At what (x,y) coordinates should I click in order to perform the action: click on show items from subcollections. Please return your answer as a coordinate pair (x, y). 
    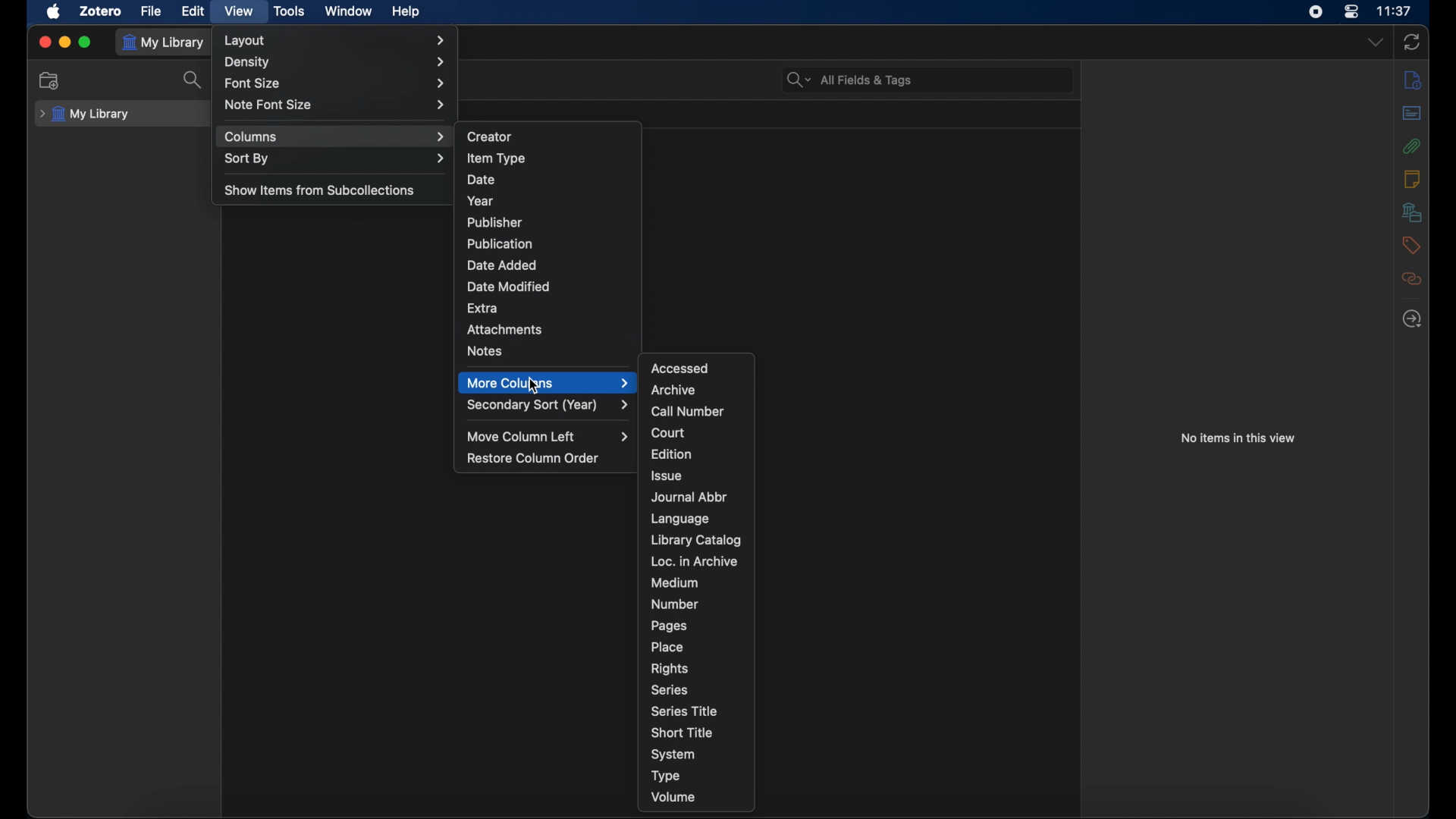
    Looking at the image, I should click on (322, 190).